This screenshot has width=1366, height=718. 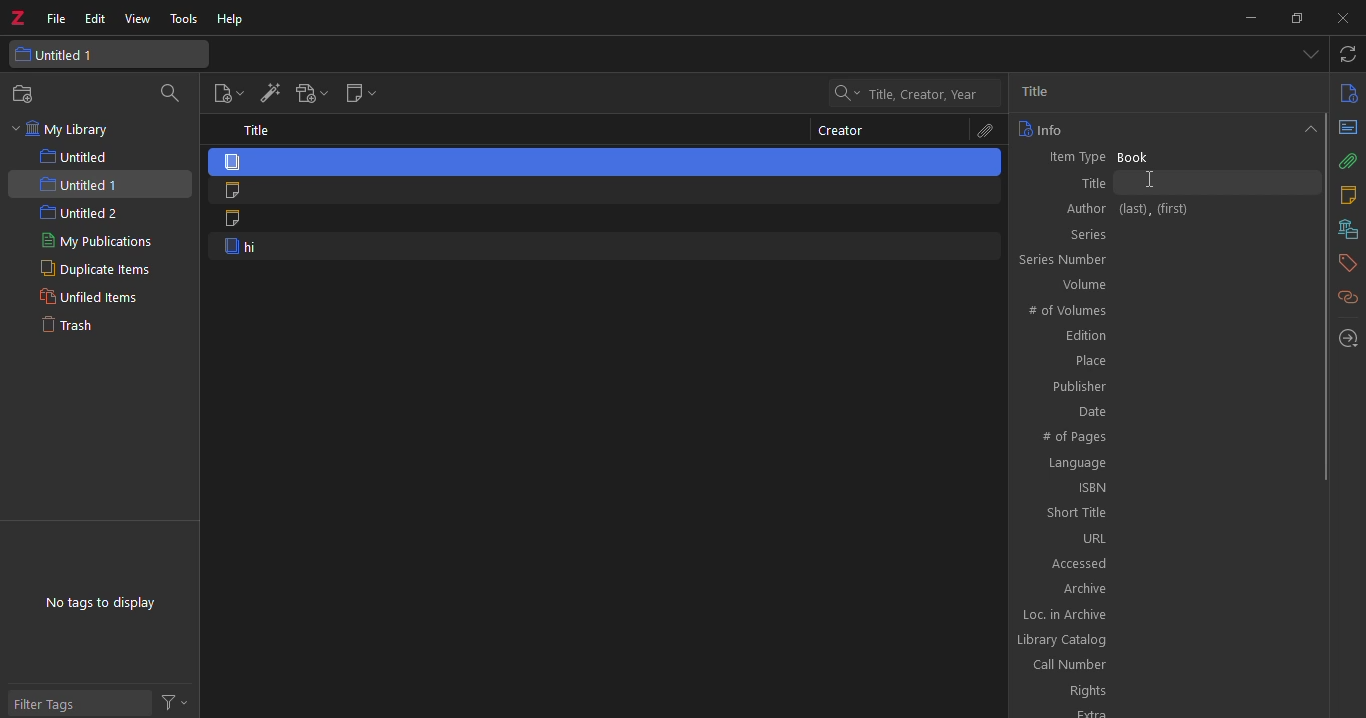 I want to click on call number, so click(x=1162, y=665).